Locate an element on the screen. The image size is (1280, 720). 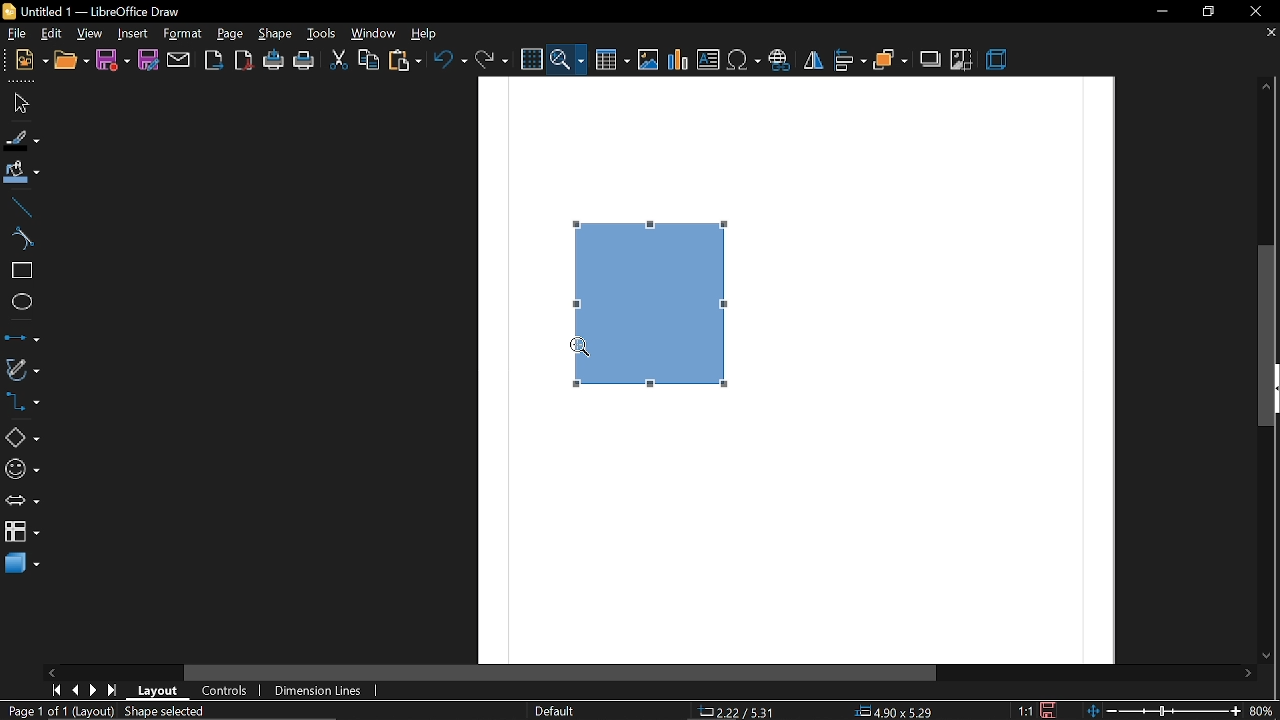
paste is located at coordinates (405, 61).